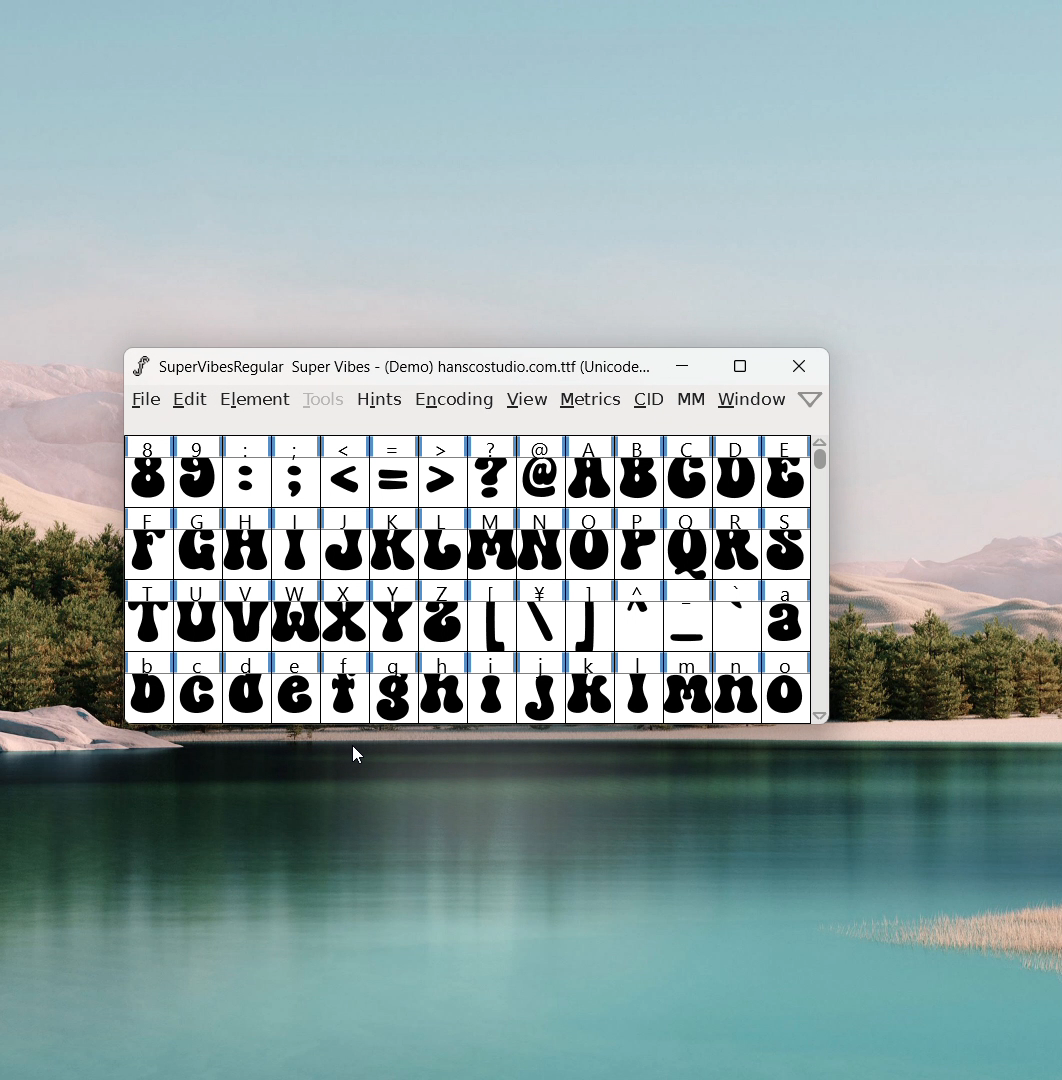 Image resolution: width=1062 pixels, height=1080 pixels. What do you see at coordinates (493, 687) in the screenshot?
I see `i` at bounding box center [493, 687].